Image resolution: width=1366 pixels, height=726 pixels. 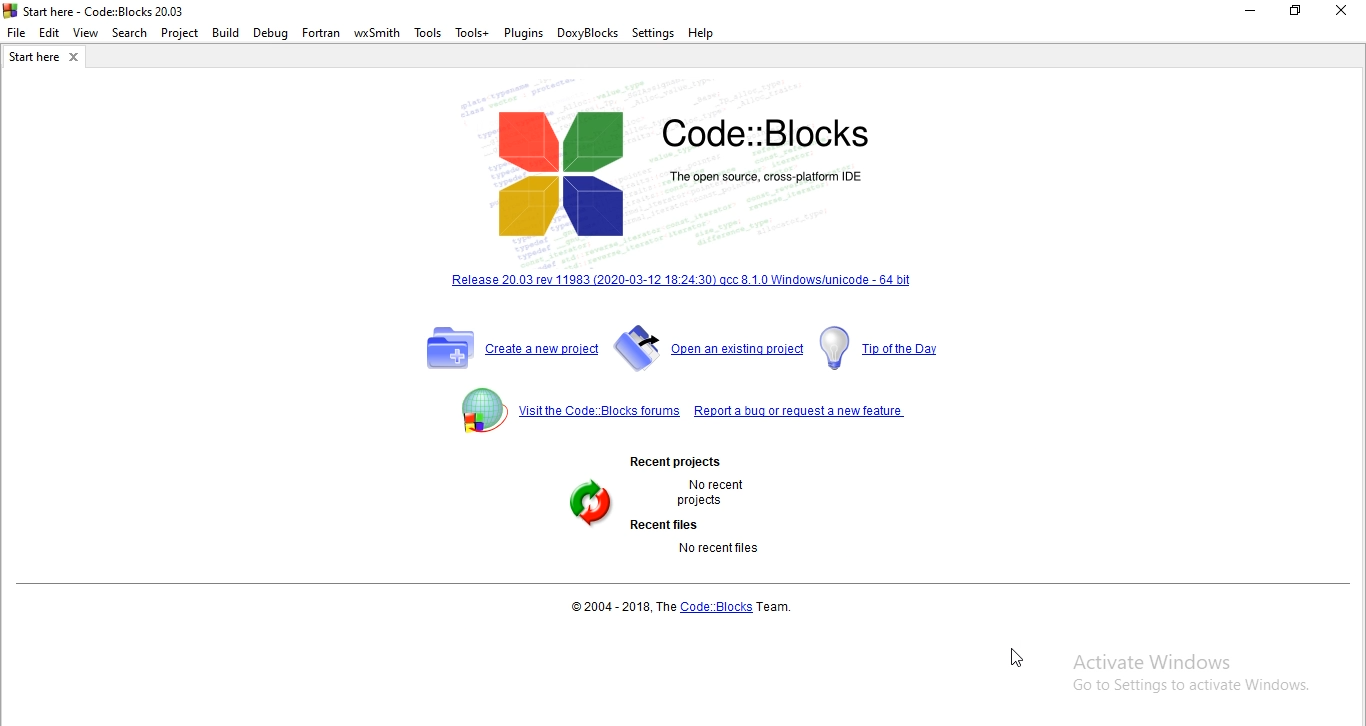 What do you see at coordinates (79, 60) in the screenshot?
I see `Close` at bounding box center [79, 60].